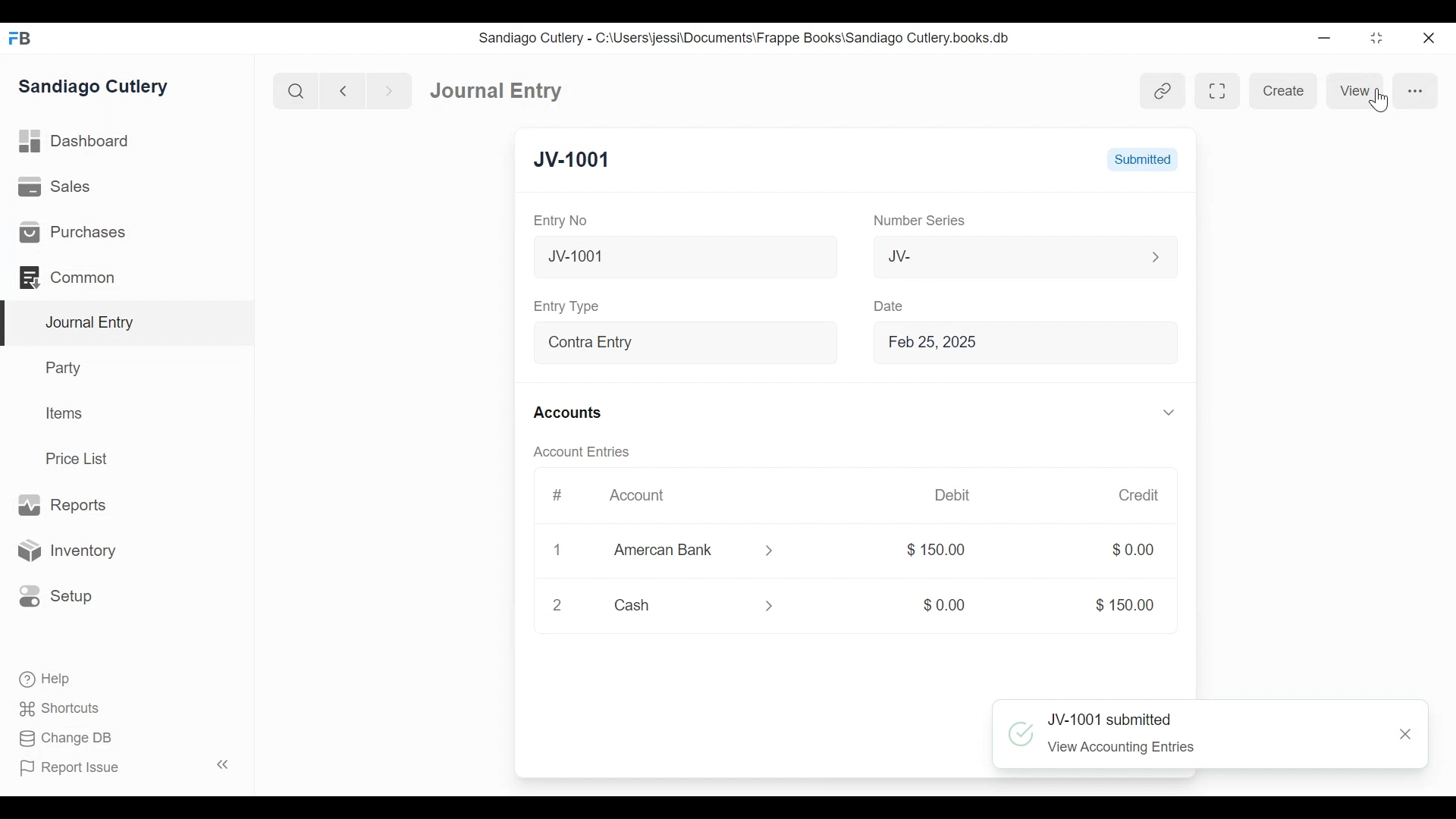 The image size is (1456, 819). What do you see at coordinates (1284, 91) in the screenshot?
I see `Create` at bounding box center [1284, 91].